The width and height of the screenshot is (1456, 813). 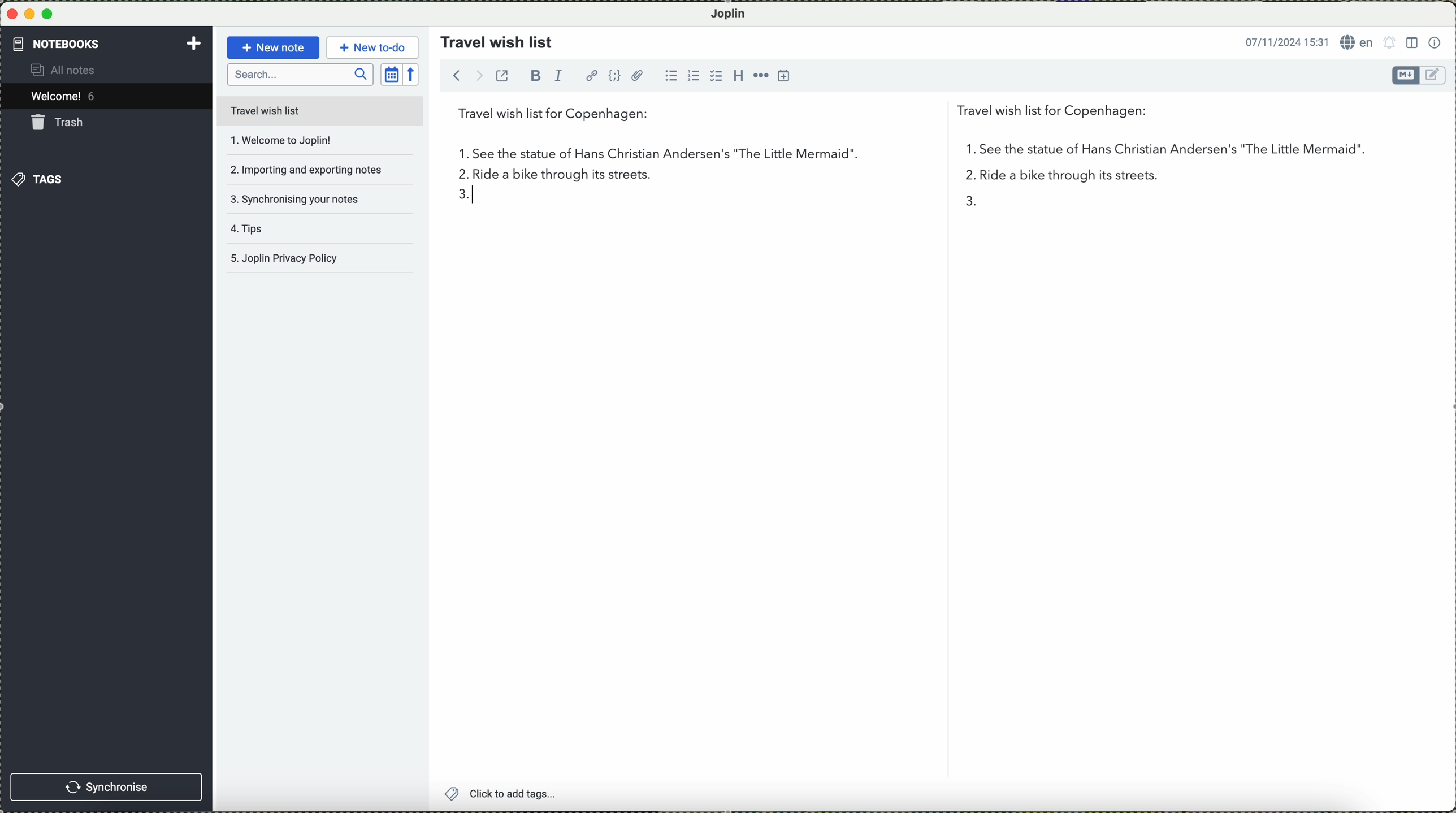 I want to click on all notes, so click(x=73, y=71).